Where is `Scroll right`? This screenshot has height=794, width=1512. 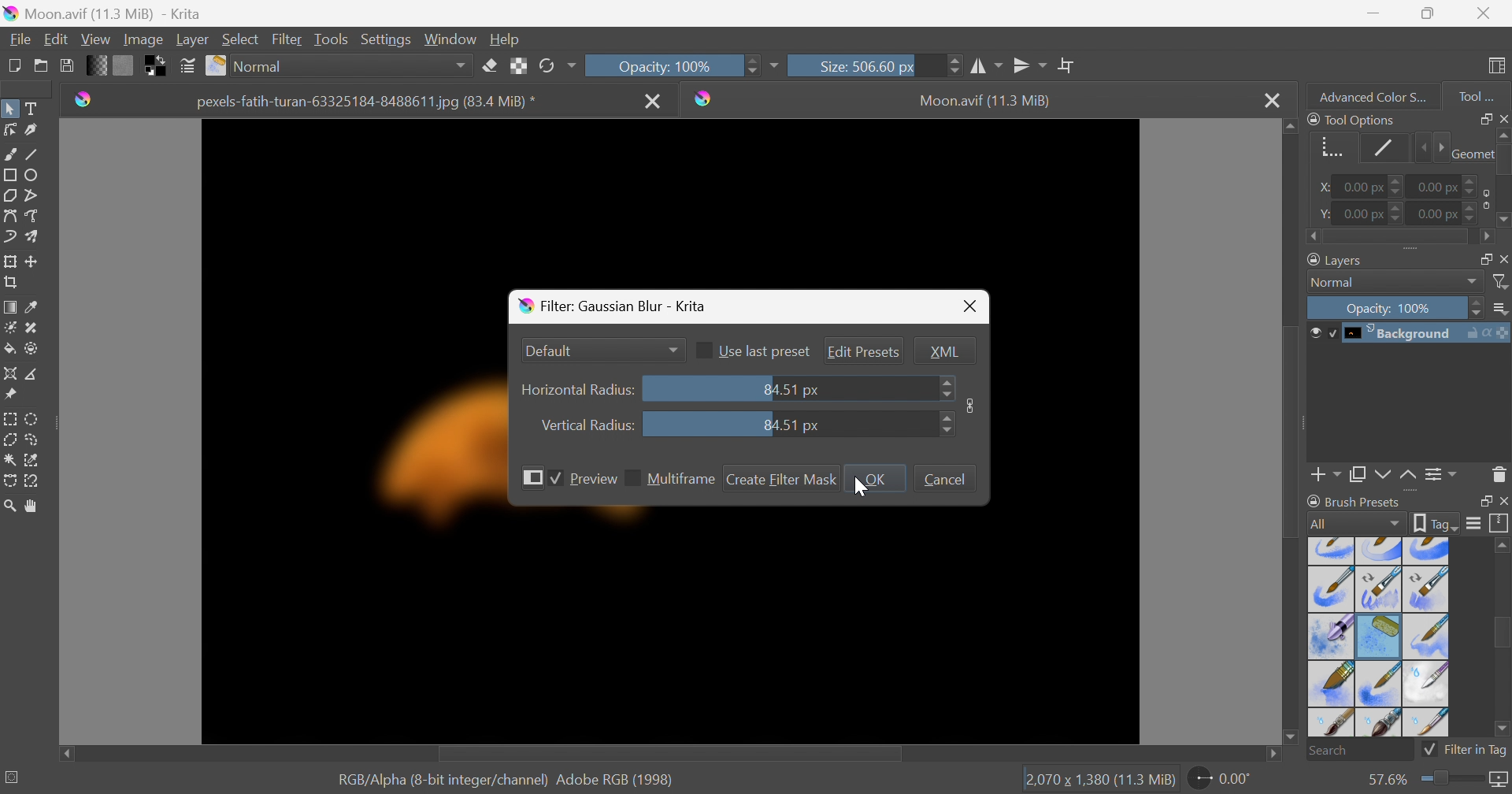
Scroll right is located at coordinates (1486, 237).